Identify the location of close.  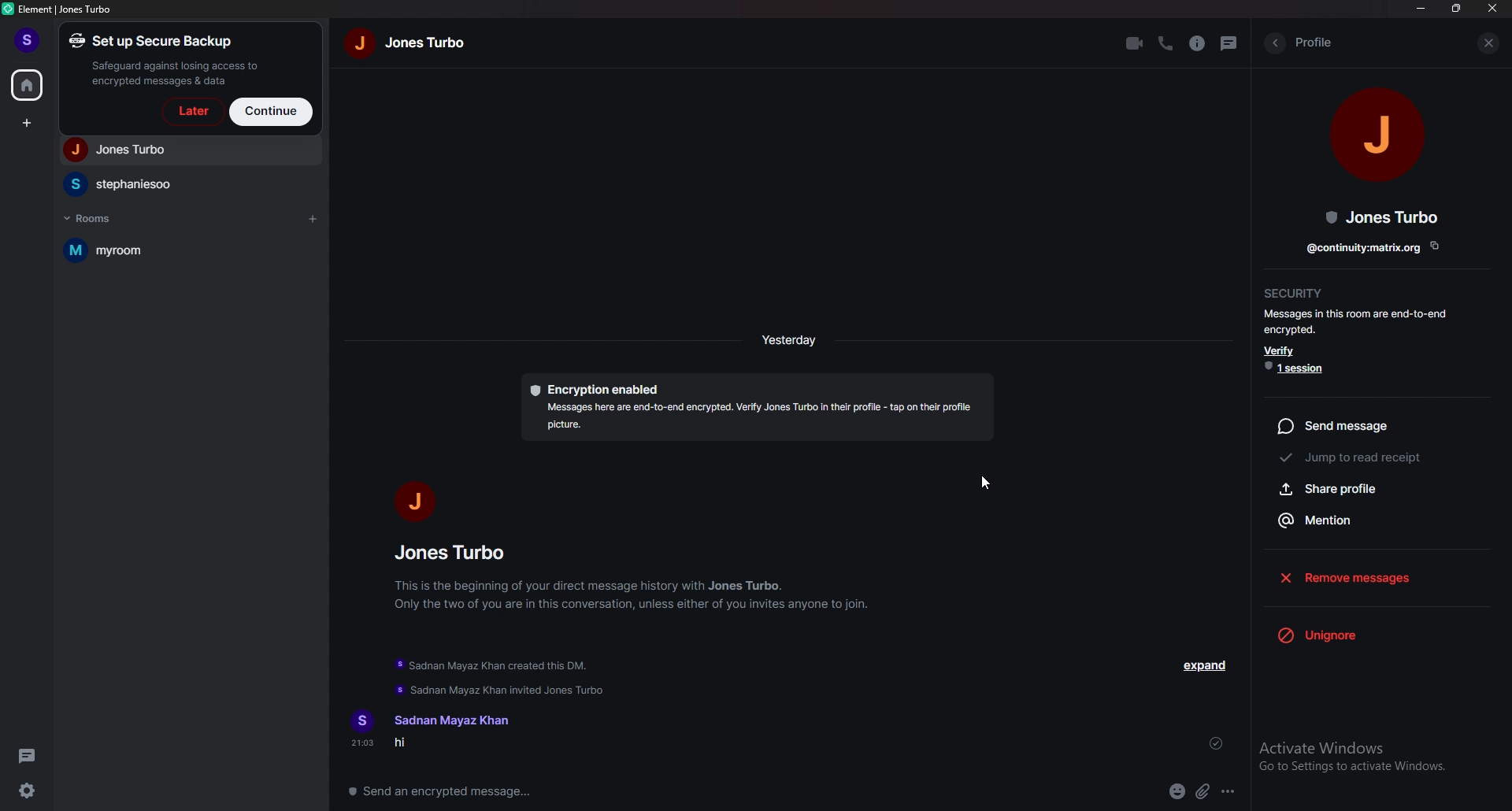
(1493, 9).